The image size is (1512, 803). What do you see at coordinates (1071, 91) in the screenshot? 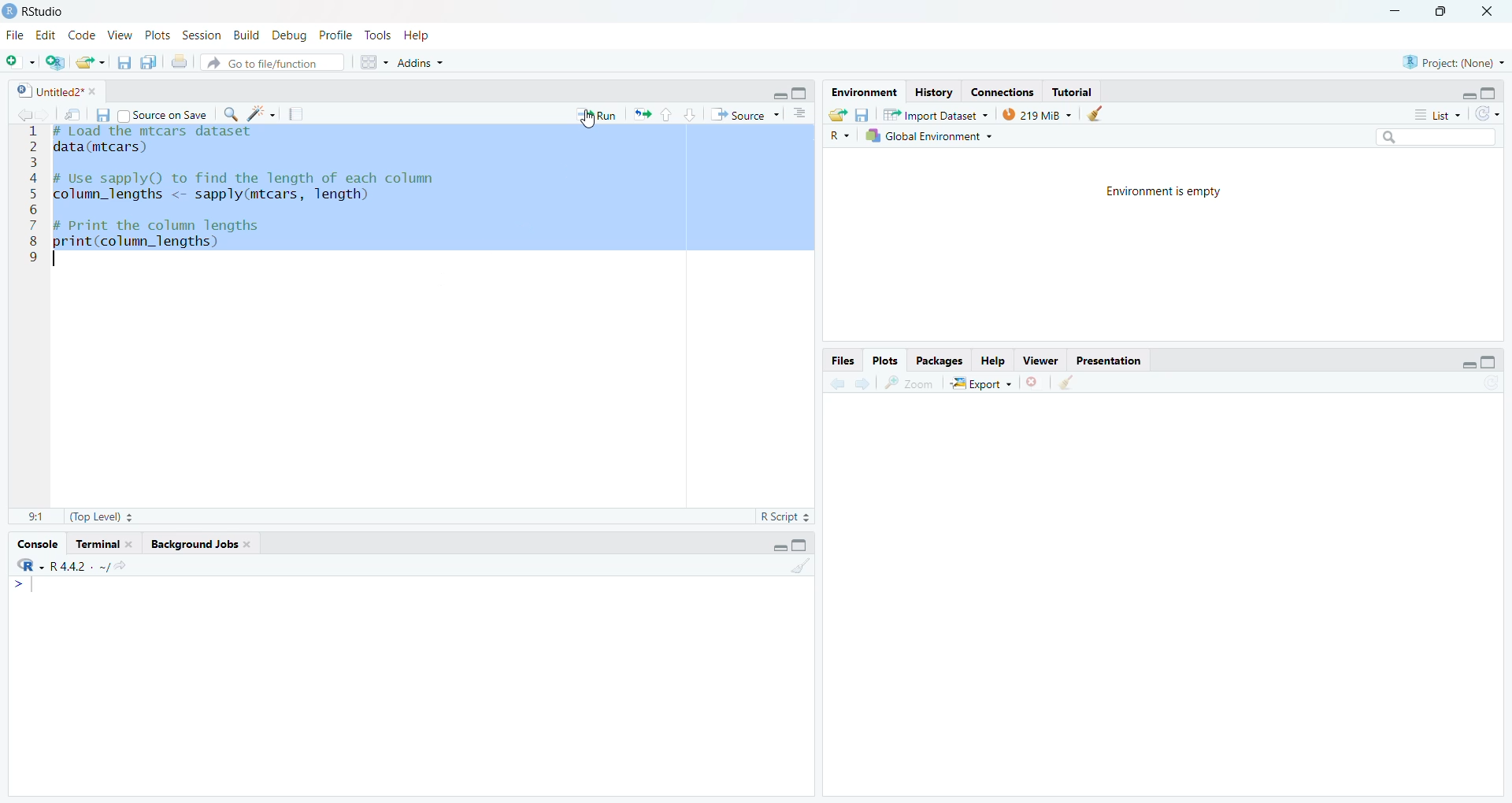
I see `Tutorial` at bounding box center [1071, 91].